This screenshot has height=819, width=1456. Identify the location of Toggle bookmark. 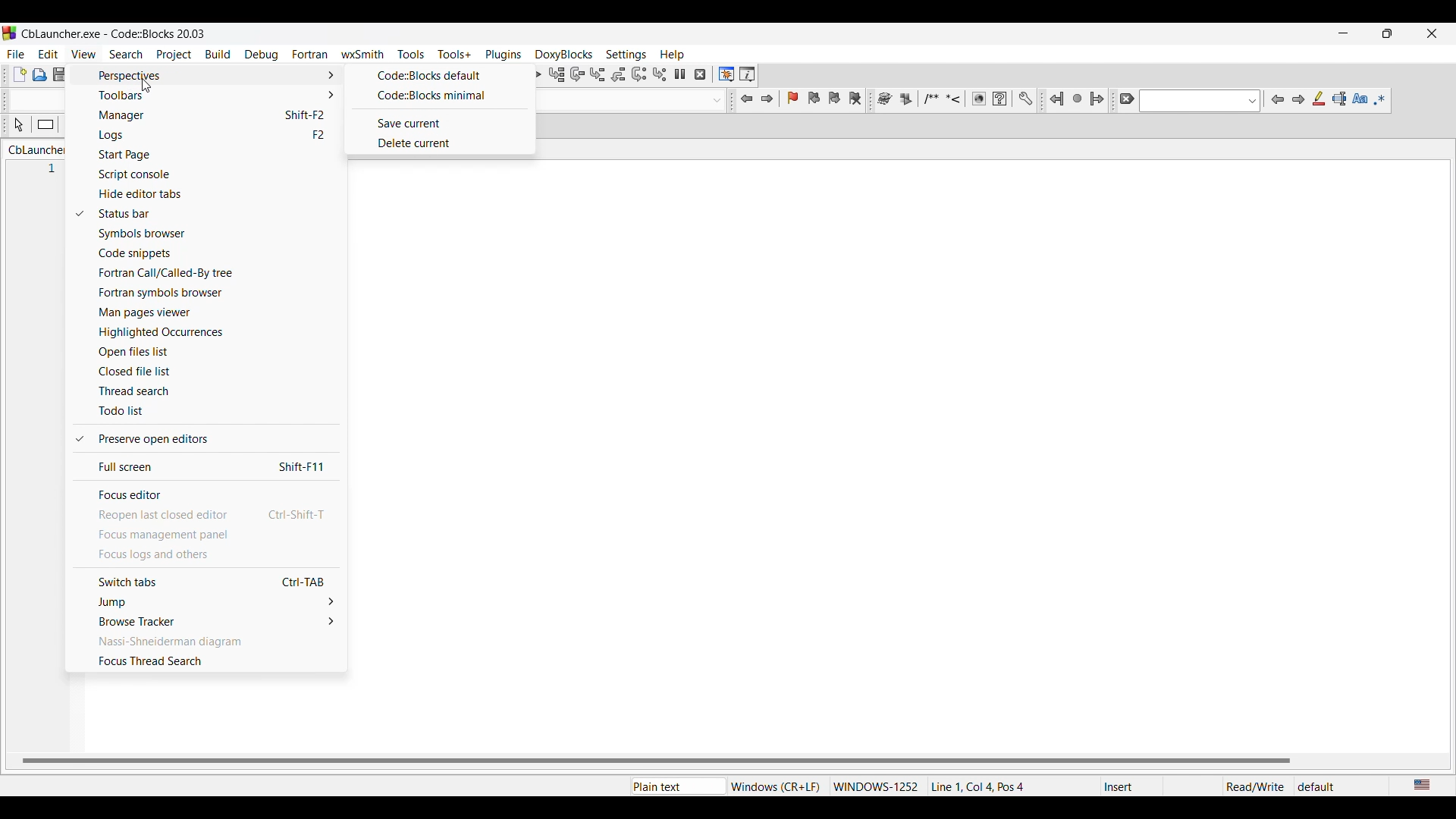
(792, 98).